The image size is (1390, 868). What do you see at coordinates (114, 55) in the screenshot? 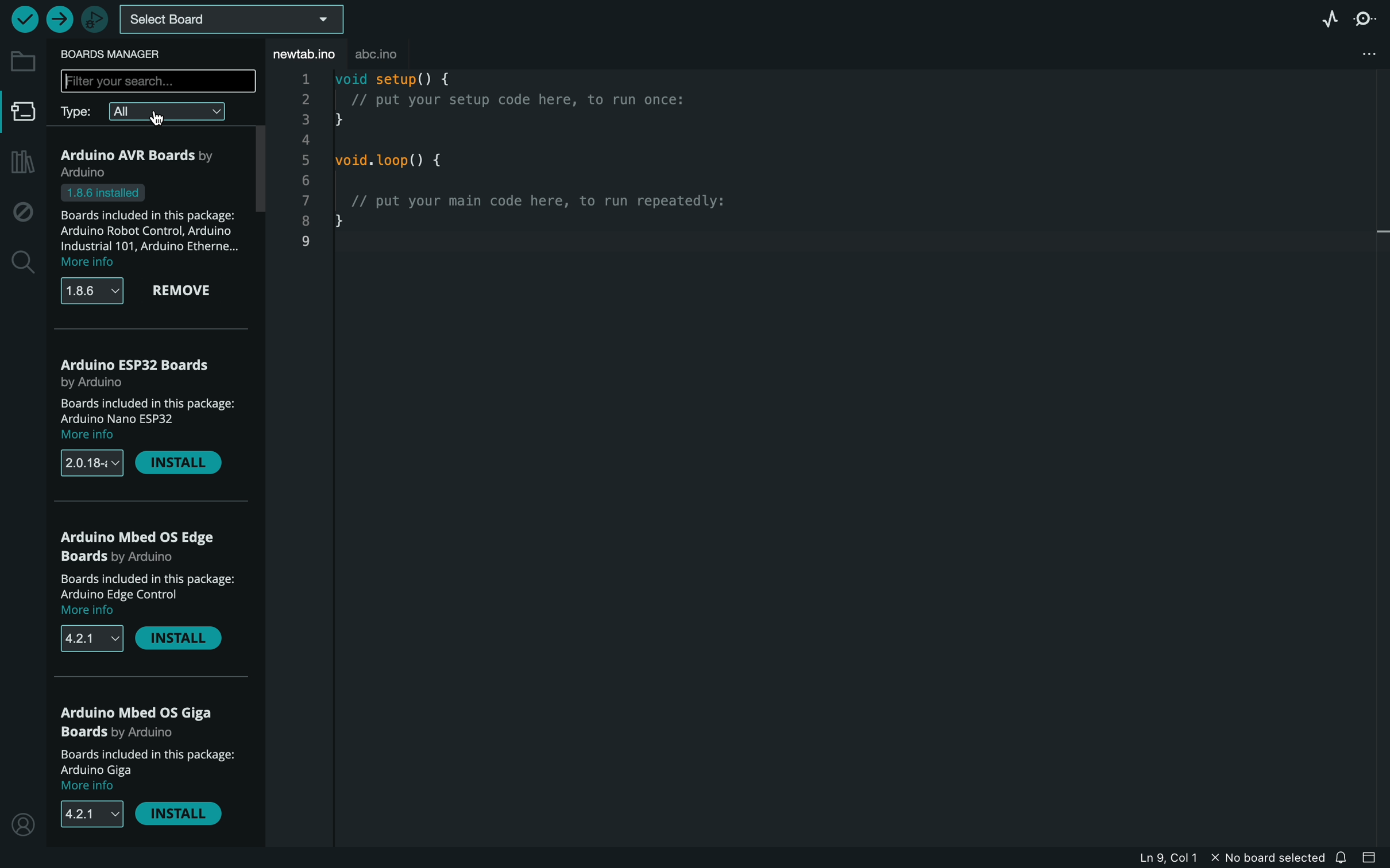
I see `boards manager` at bounding box center [114, 55].